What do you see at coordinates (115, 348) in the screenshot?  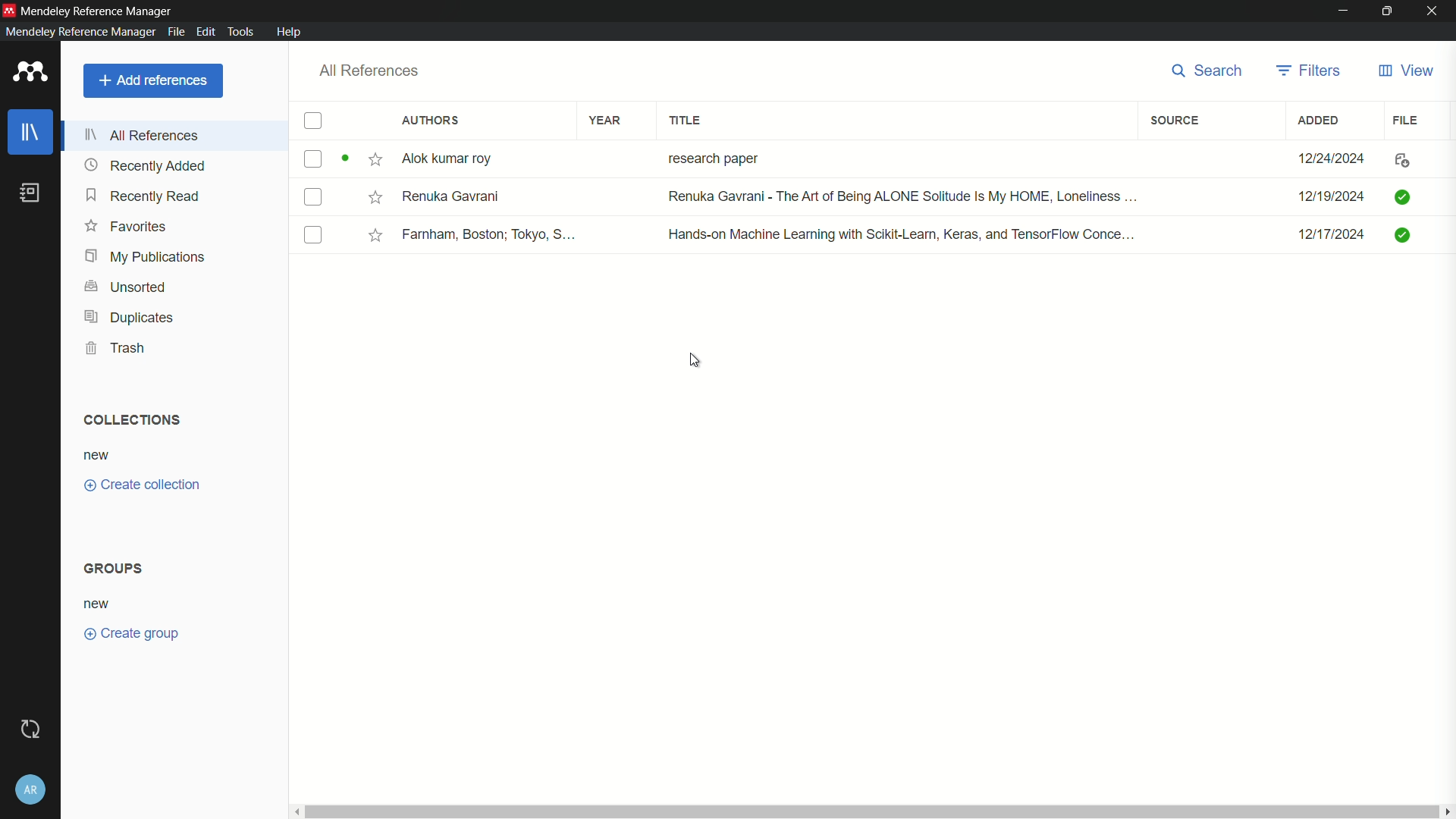 I see `trash` at bounding box center [115, 348].